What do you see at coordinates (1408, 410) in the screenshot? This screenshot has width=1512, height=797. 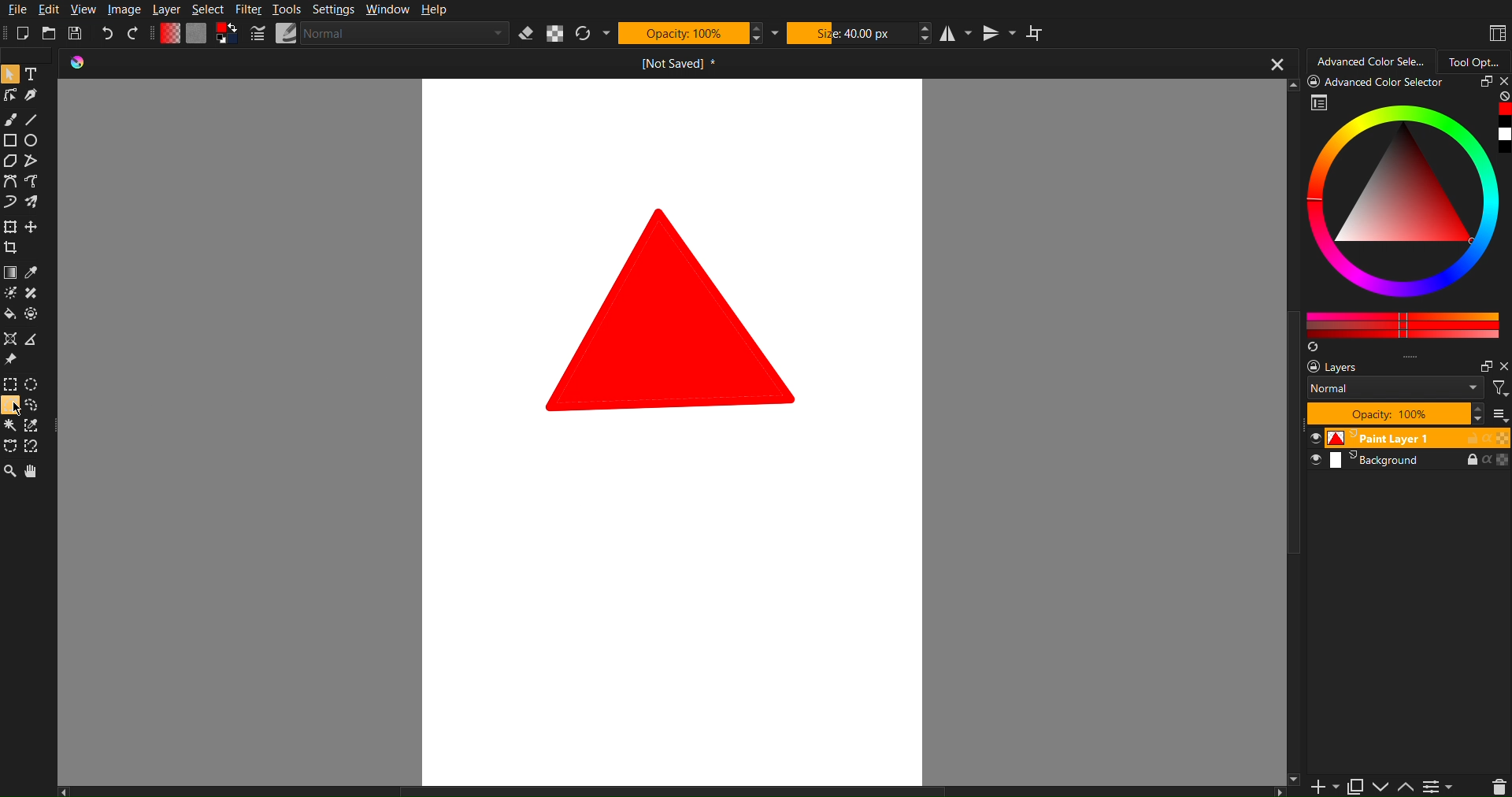 I see `Layers` at bounding box center [1408, 410].